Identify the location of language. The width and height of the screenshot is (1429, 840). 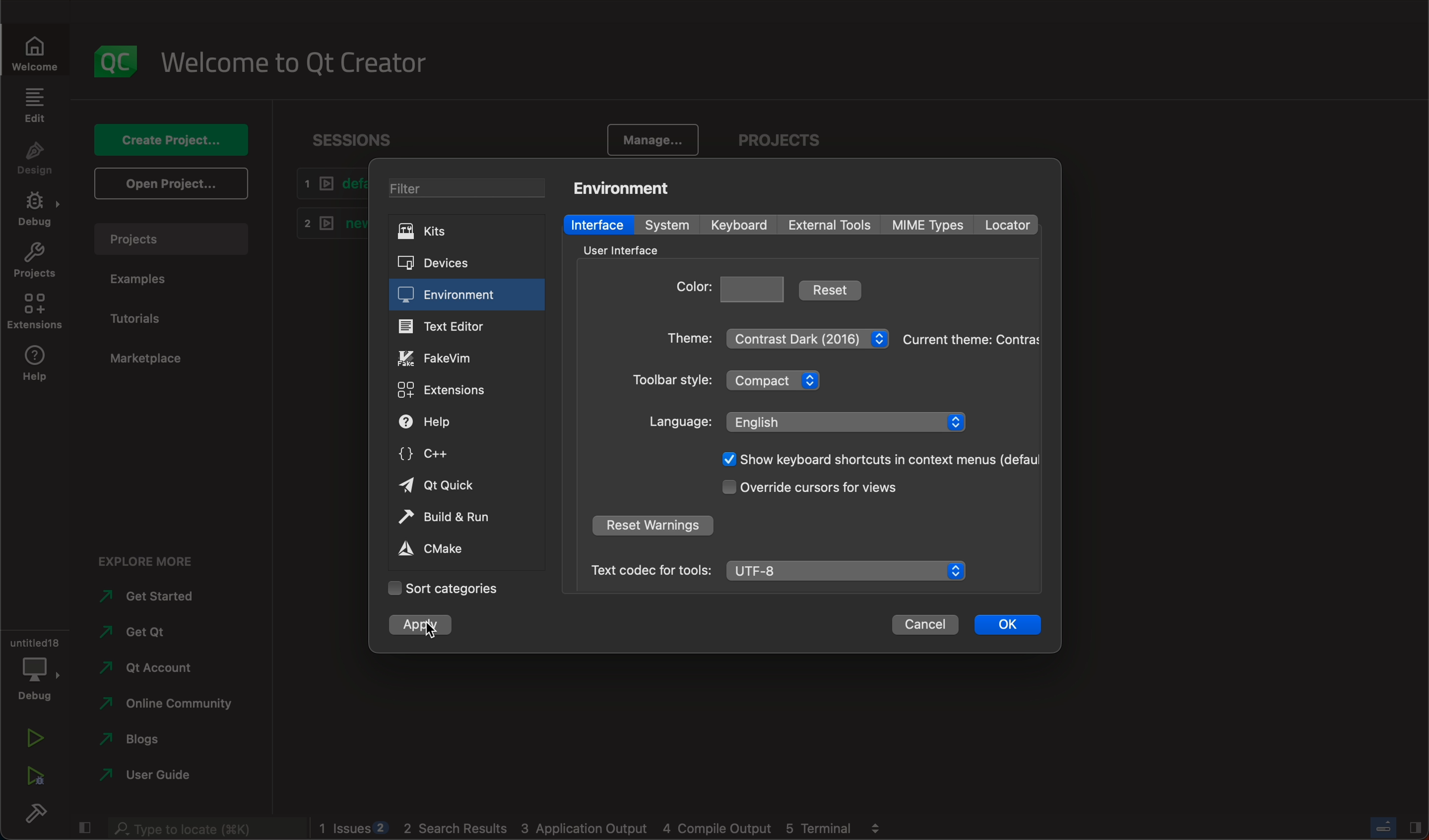
(807, 421).